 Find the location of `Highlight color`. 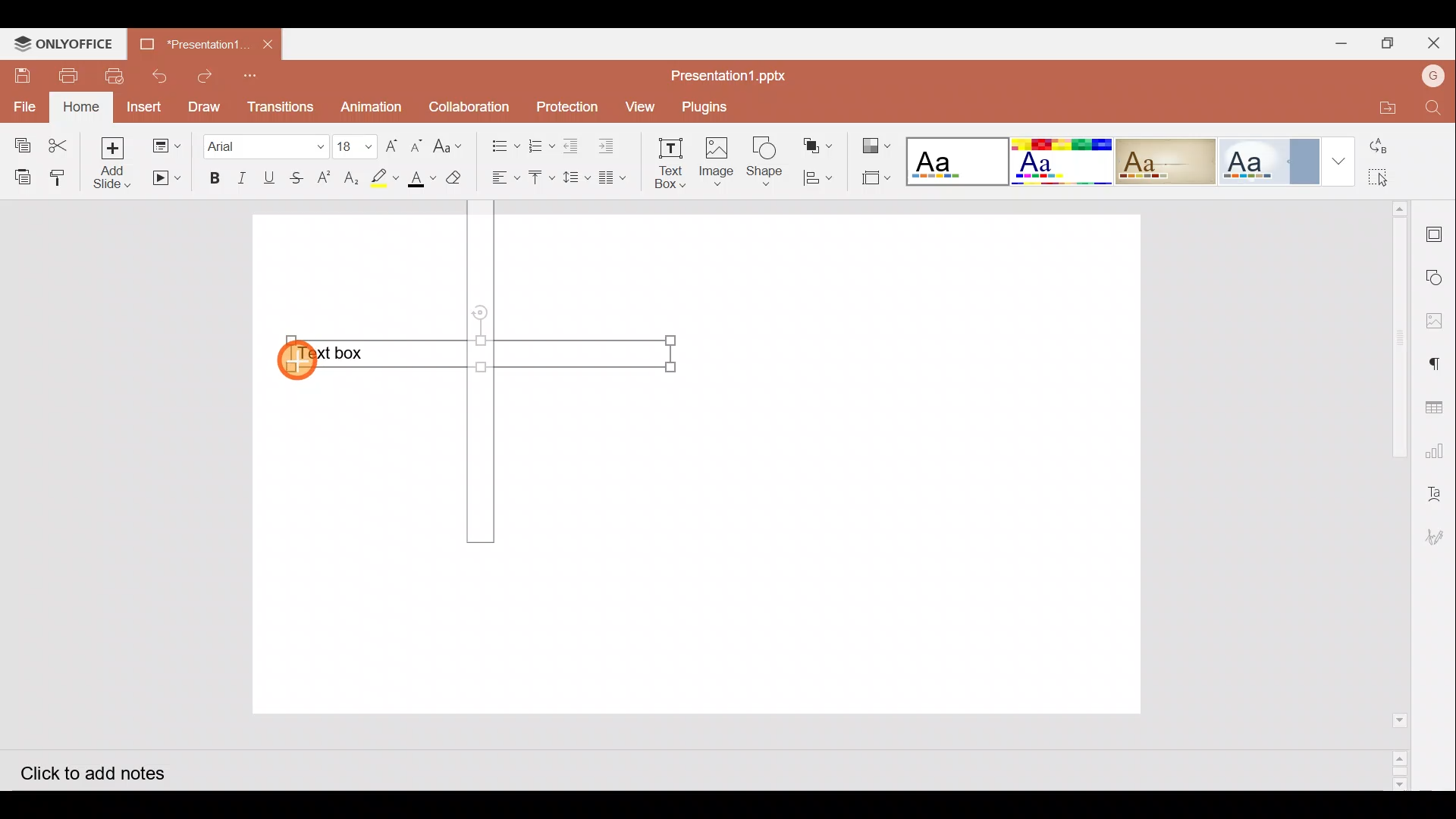

Highlight color is located at coordinates (381, 177).